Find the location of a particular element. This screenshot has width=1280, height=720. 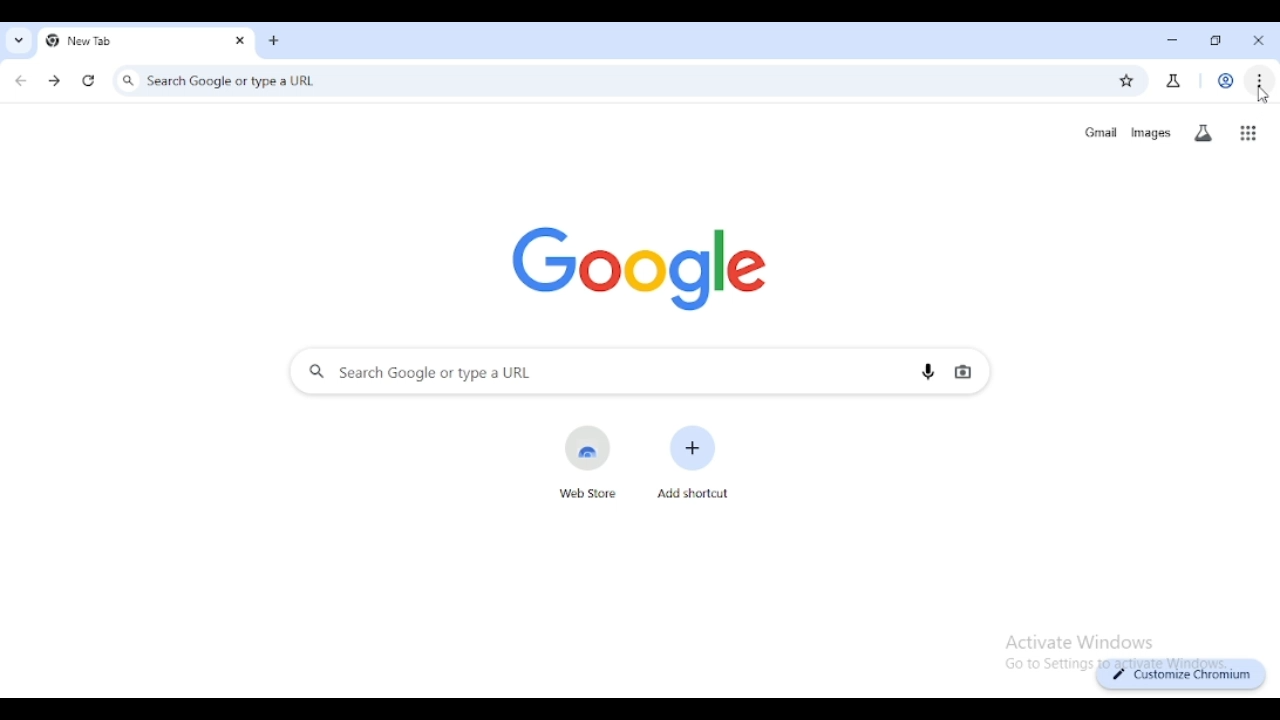

click to go back is located at coordinates (21, 81).